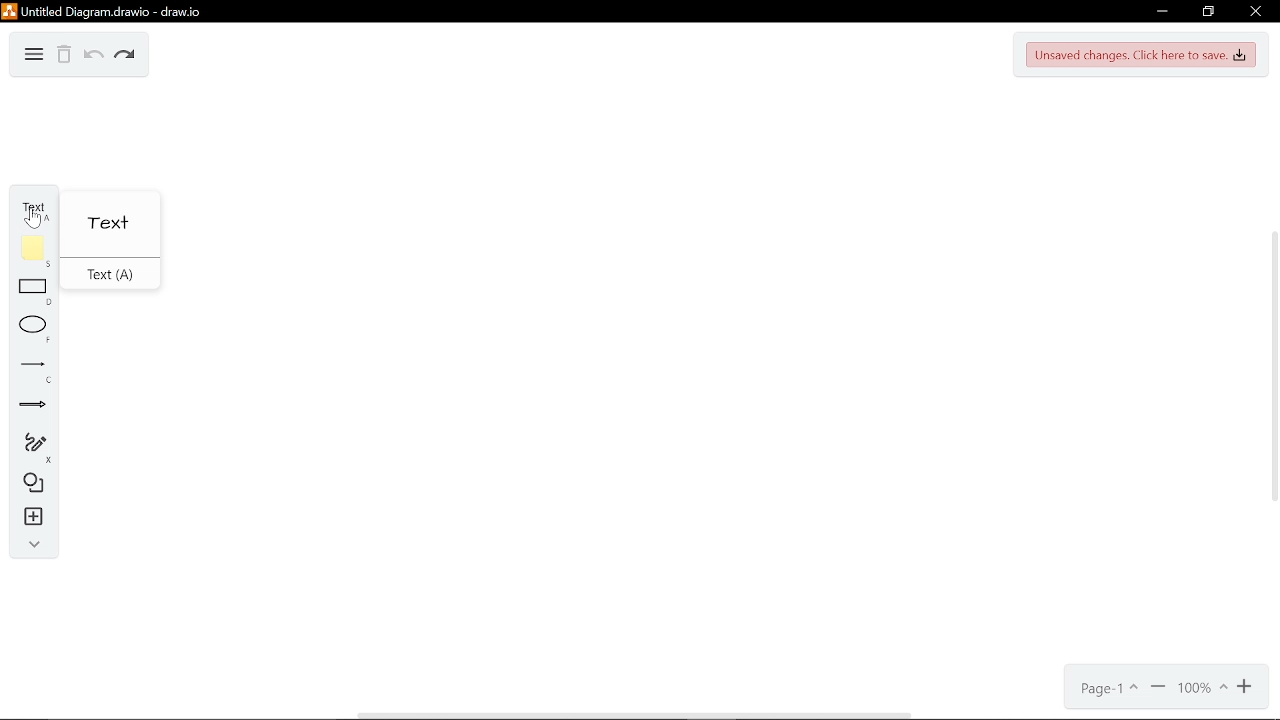 The height and width of the screenshot is (720, 1280). What do you see at coordinates (29, 447) in the screenshot?
I see `Freehand` at bounding box center [29, 447].